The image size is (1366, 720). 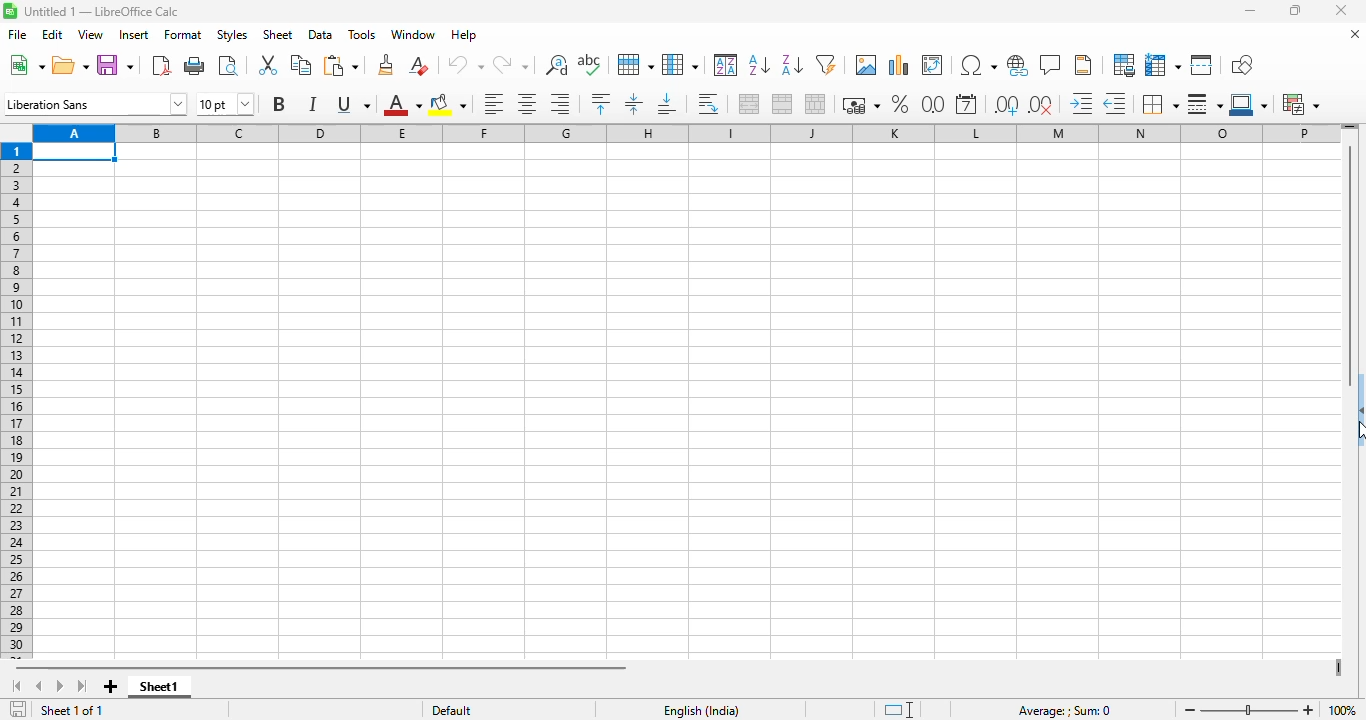 I want to click on add new sheet, so click(x=111, y=687).